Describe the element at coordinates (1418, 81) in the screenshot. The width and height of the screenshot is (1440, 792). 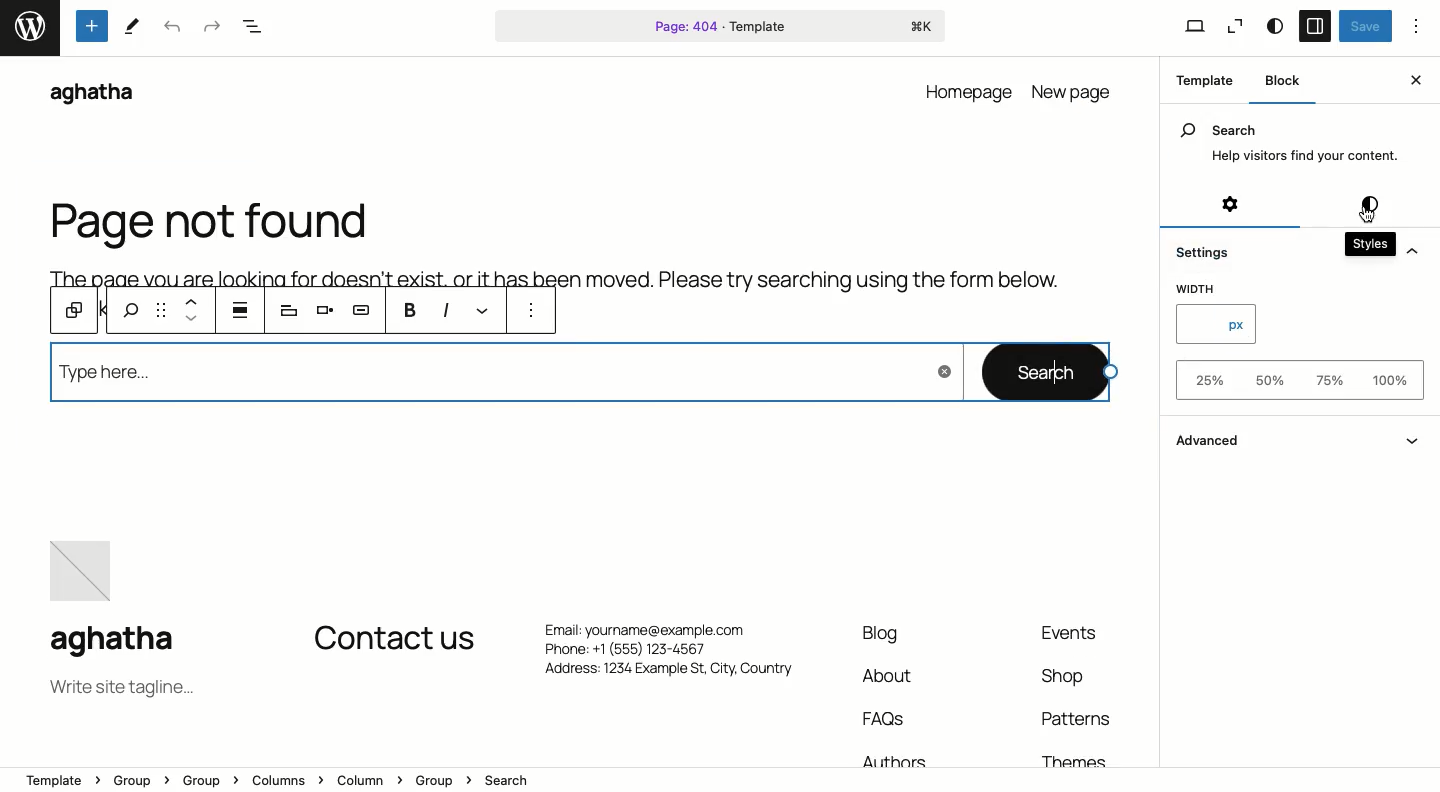
I see `Close` at that location.